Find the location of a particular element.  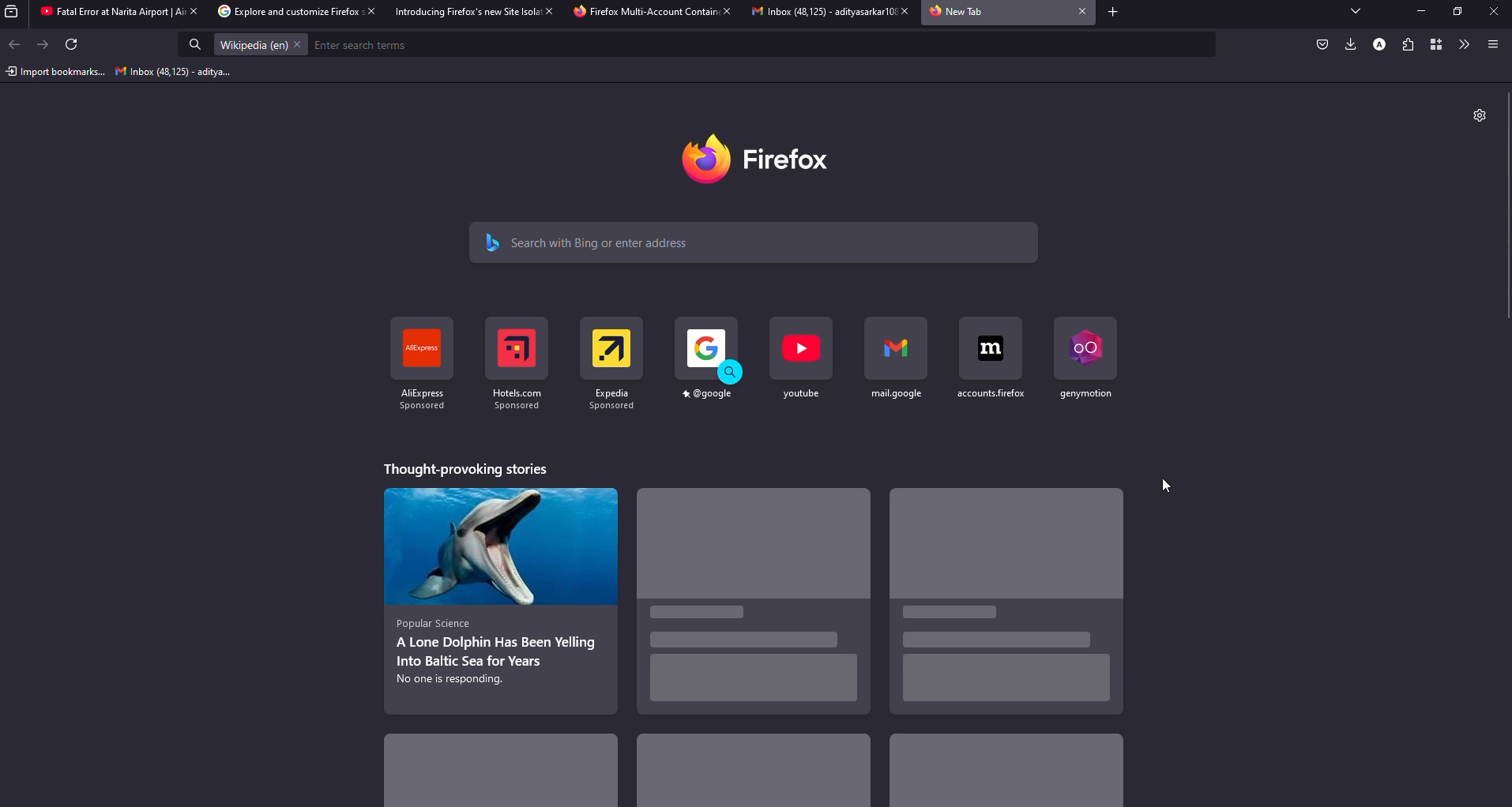

forward is located at coordinates (44, 44).